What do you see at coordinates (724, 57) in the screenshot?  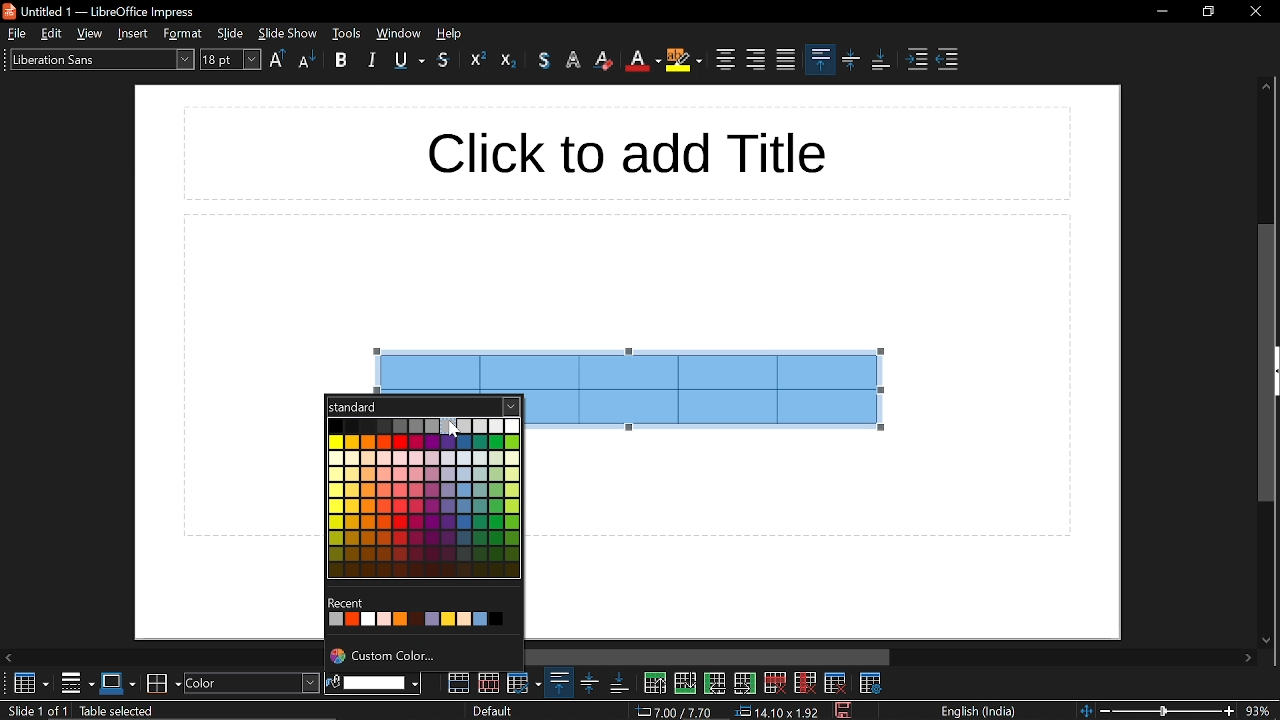 I see `center` at bounding box center [724, 57].